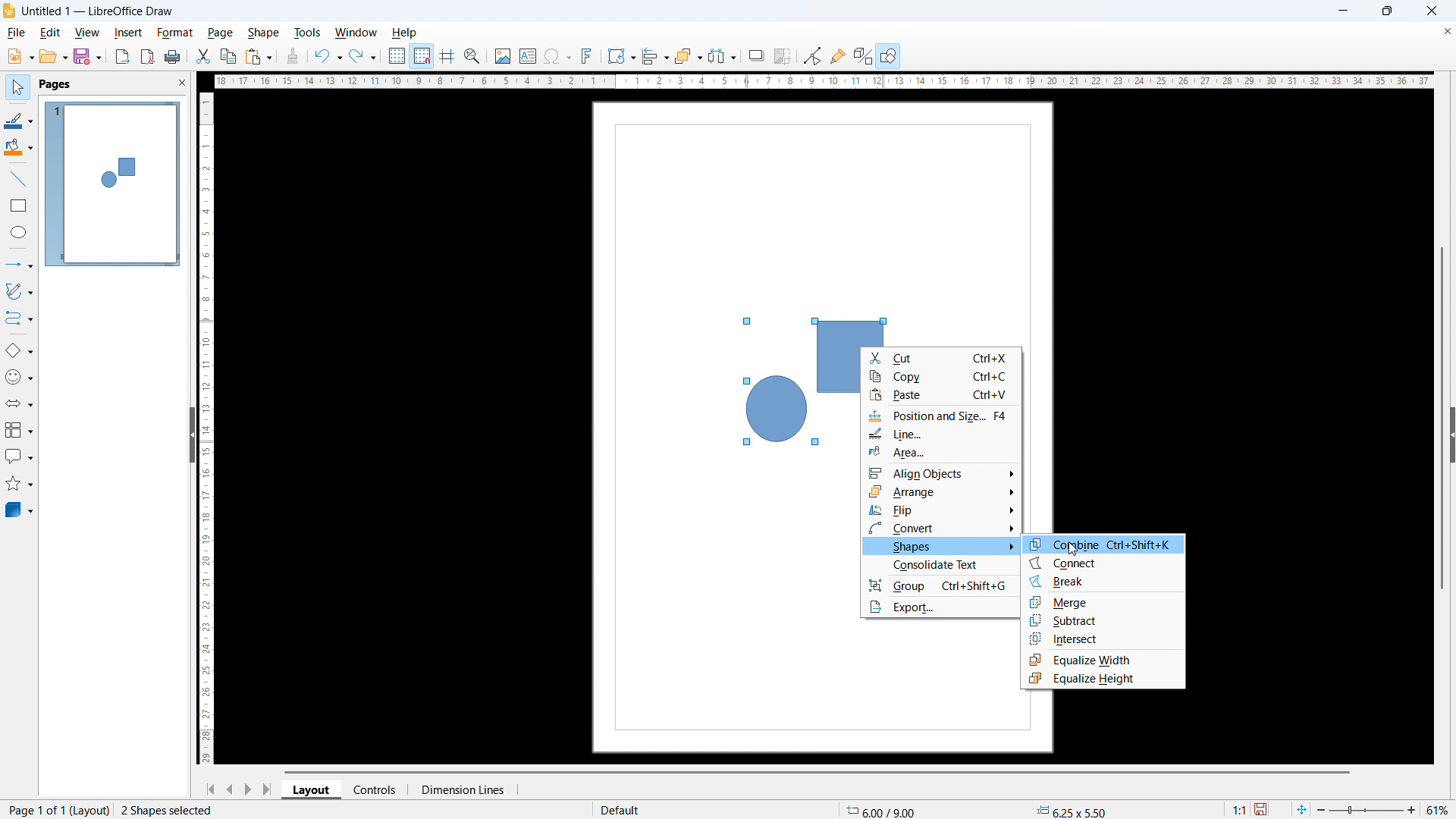 The image size is (1456, 819). What do you see at coordinates (942, 375) in the screenshot?
I see `copy` at bounding box center [942, 375].